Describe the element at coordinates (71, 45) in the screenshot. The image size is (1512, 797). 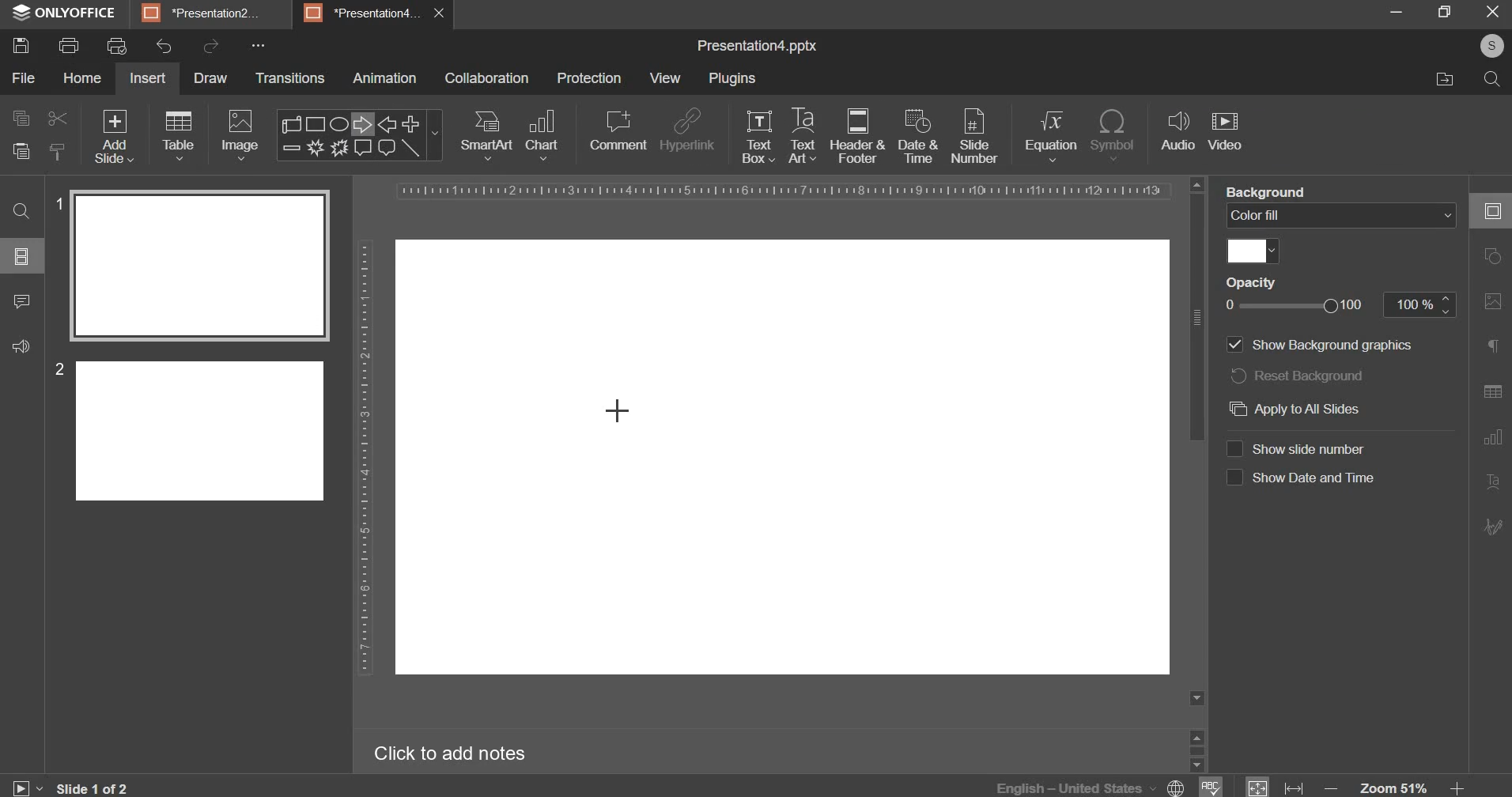
I see `print` at that location.